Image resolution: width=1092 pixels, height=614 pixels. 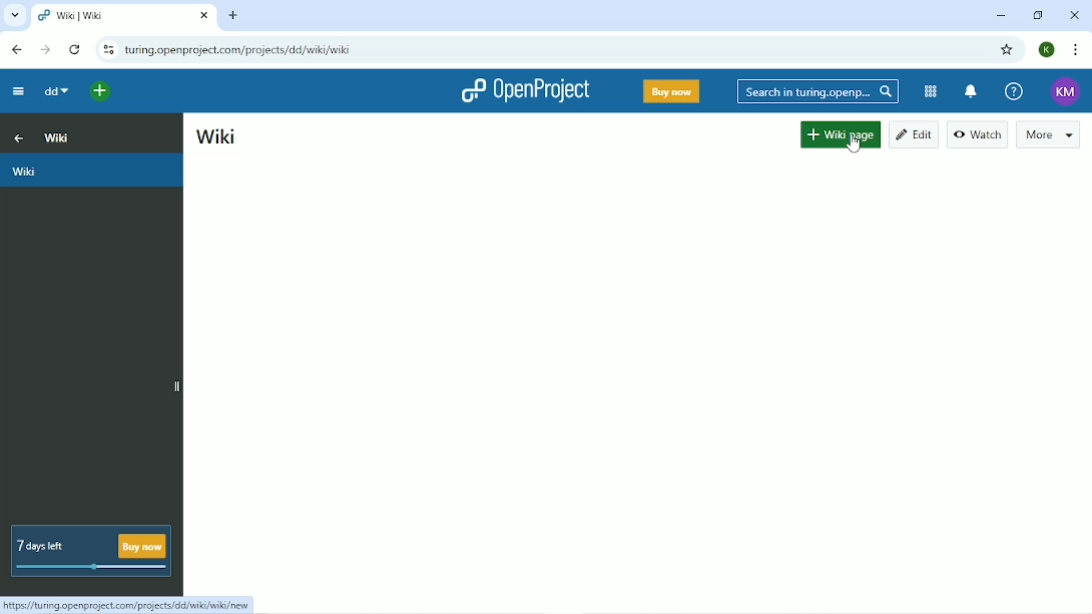 I want to click on Collapse project menu, so click(x=17, y=93).